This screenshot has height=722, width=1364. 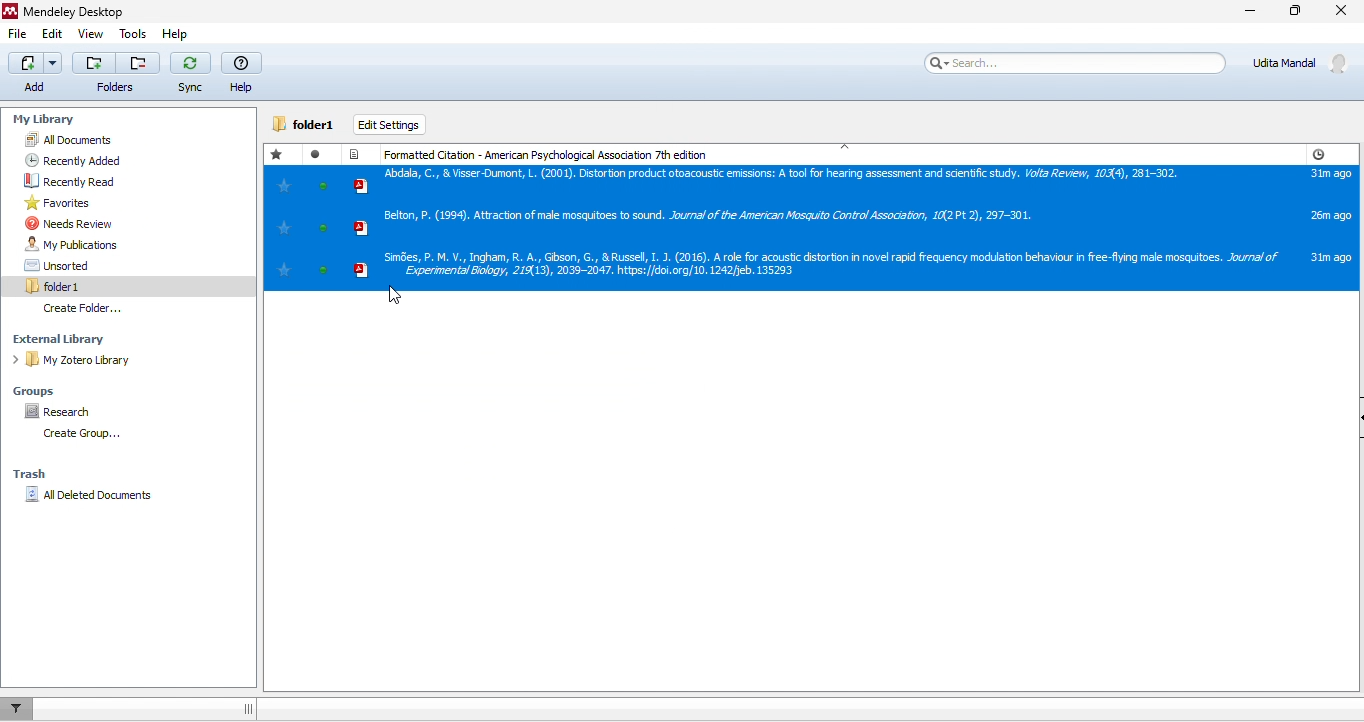 What do you see at coordinates (240, 72) in the screenshot?
I see `help` at bounding box center [240, 72].